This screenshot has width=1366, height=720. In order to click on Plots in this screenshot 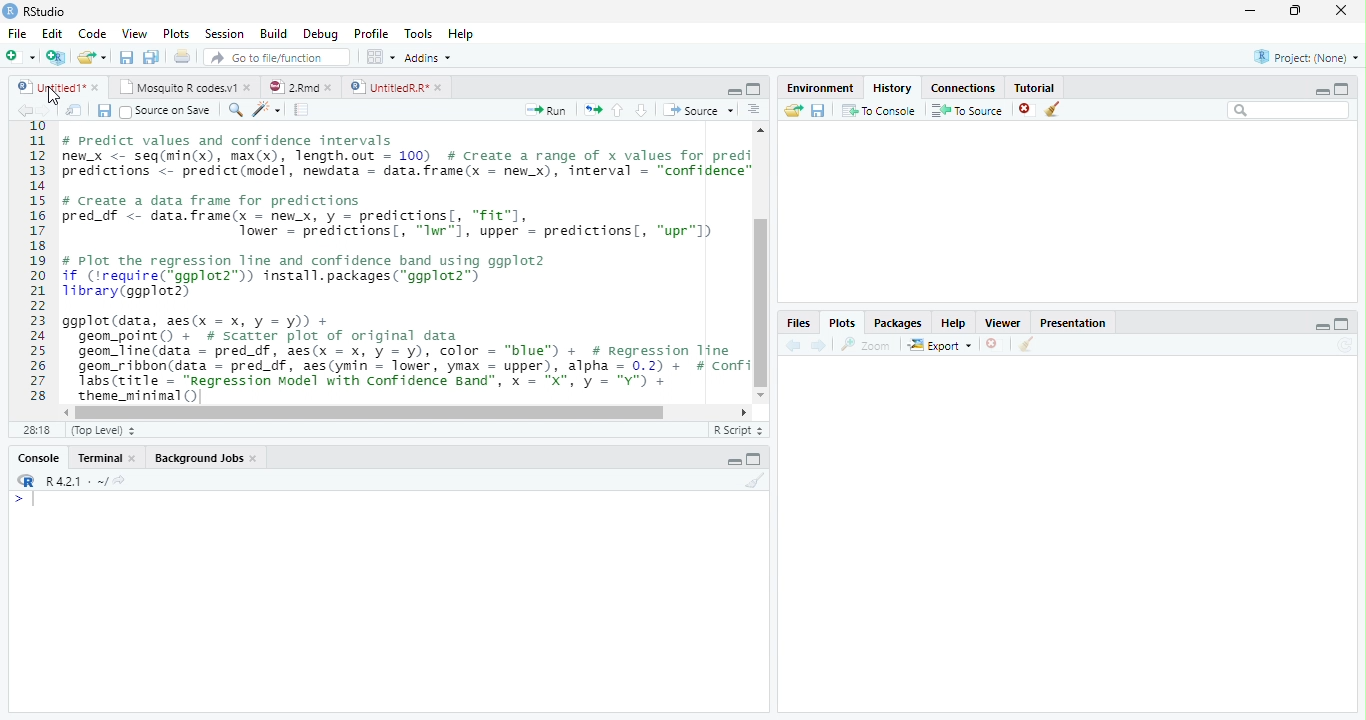, I will do `click(844, 322)`.